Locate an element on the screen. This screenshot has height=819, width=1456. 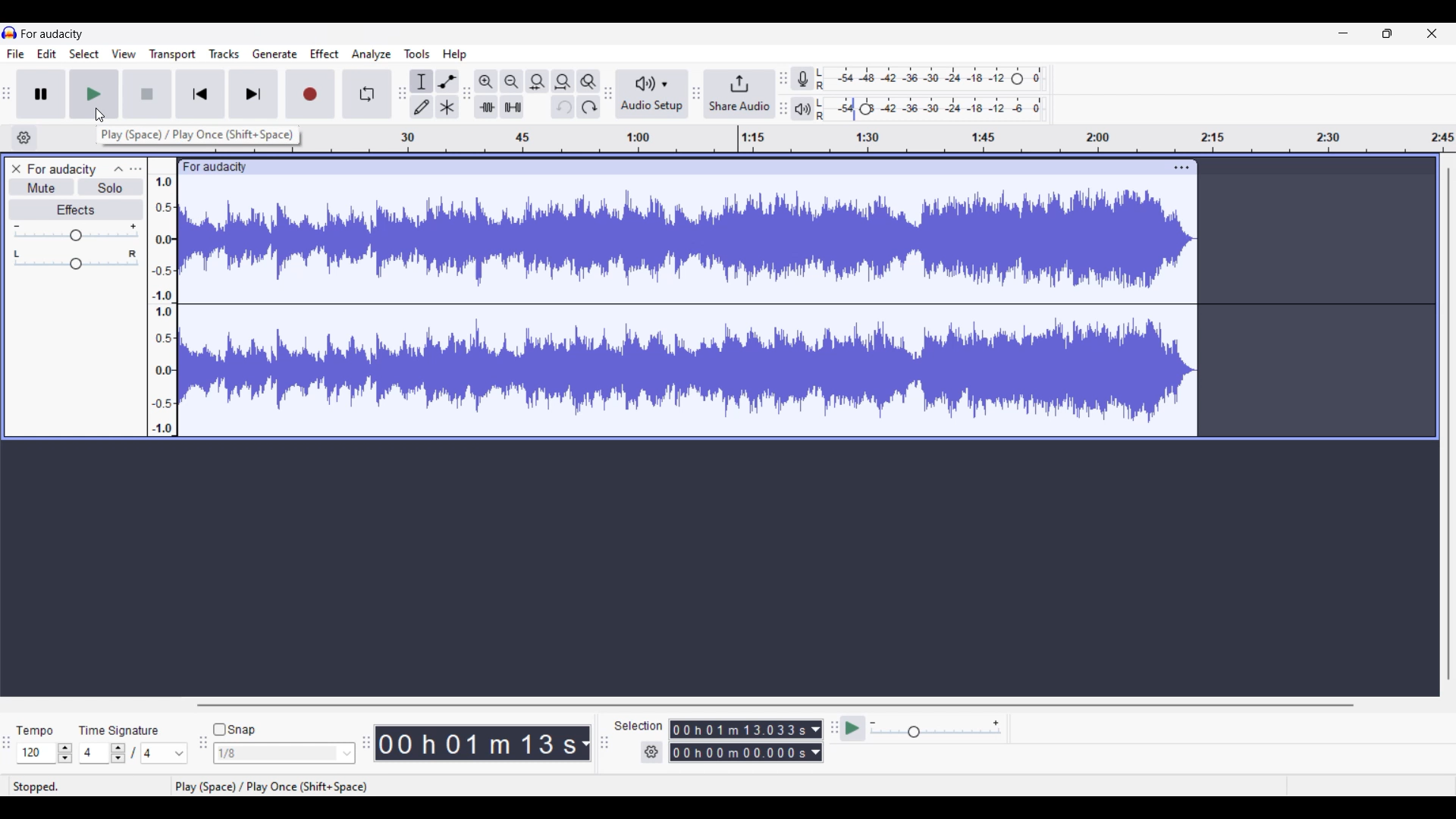
Scale to measure track length is located at coordinates (878, 138).